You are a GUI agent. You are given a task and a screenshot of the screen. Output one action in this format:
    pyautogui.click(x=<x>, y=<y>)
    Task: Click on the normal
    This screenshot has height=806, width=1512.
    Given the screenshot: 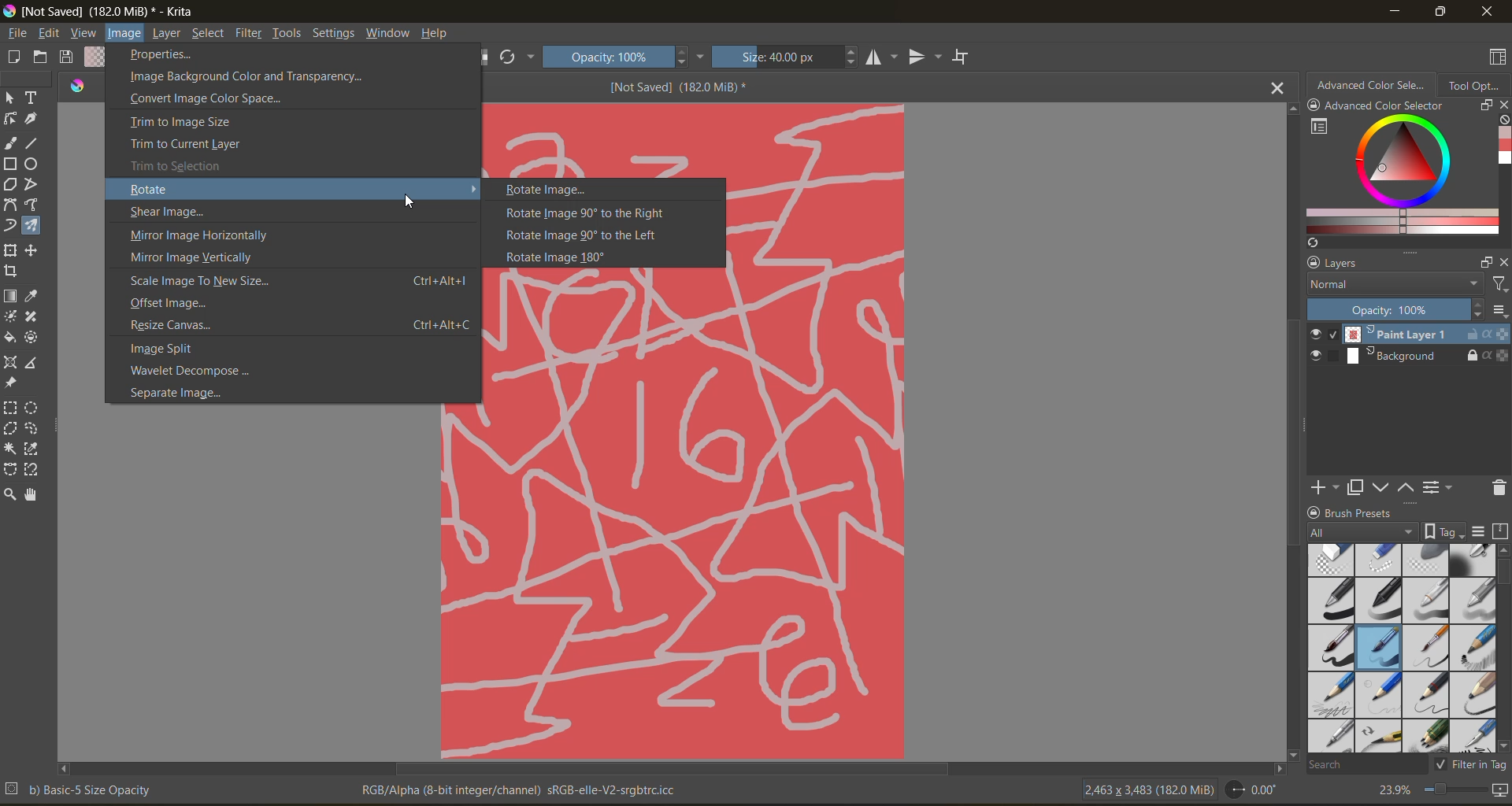 What is the action you would take?
    pyautogui.click(x=1393, y=283)
    